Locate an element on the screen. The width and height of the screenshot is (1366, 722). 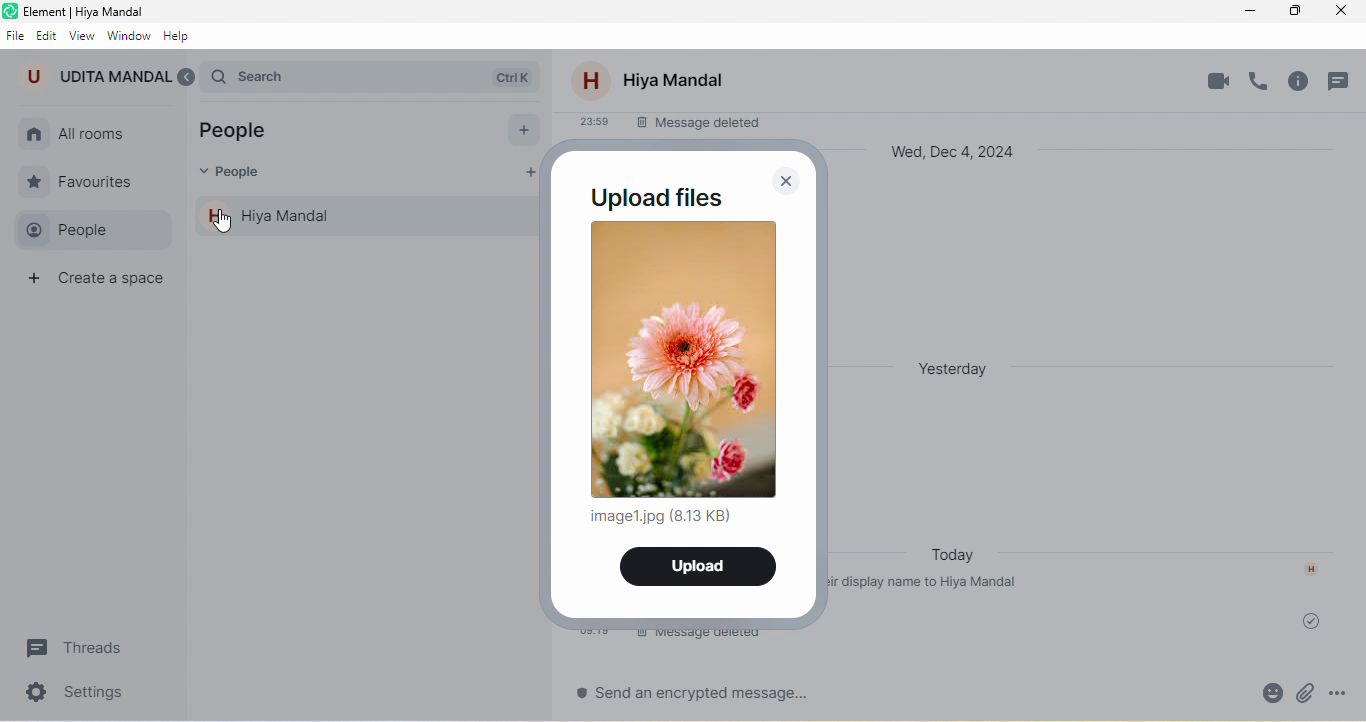
Today is located at coordinates (955, 557).